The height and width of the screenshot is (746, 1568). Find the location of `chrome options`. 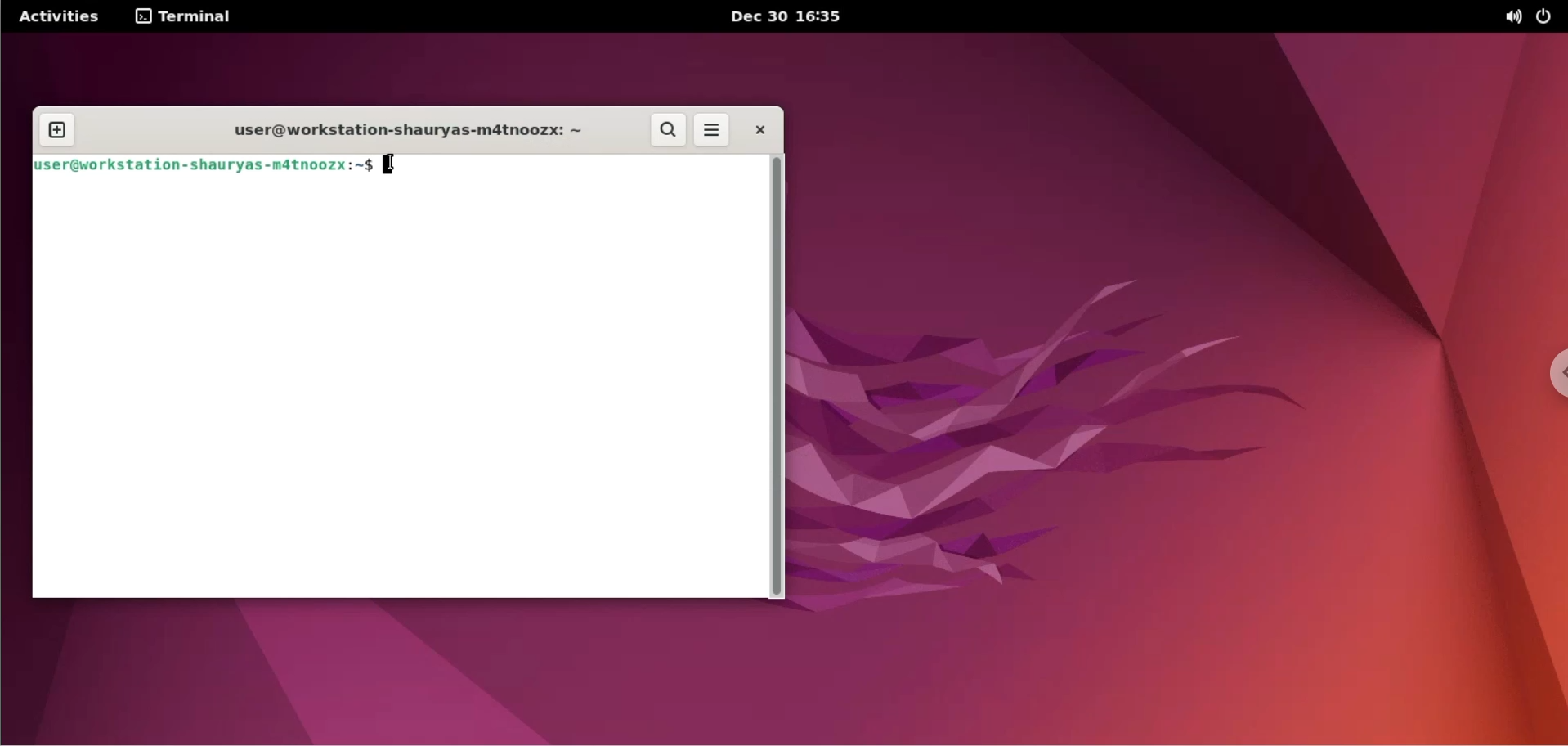

chrome options is located at coordinates (1550, 378).